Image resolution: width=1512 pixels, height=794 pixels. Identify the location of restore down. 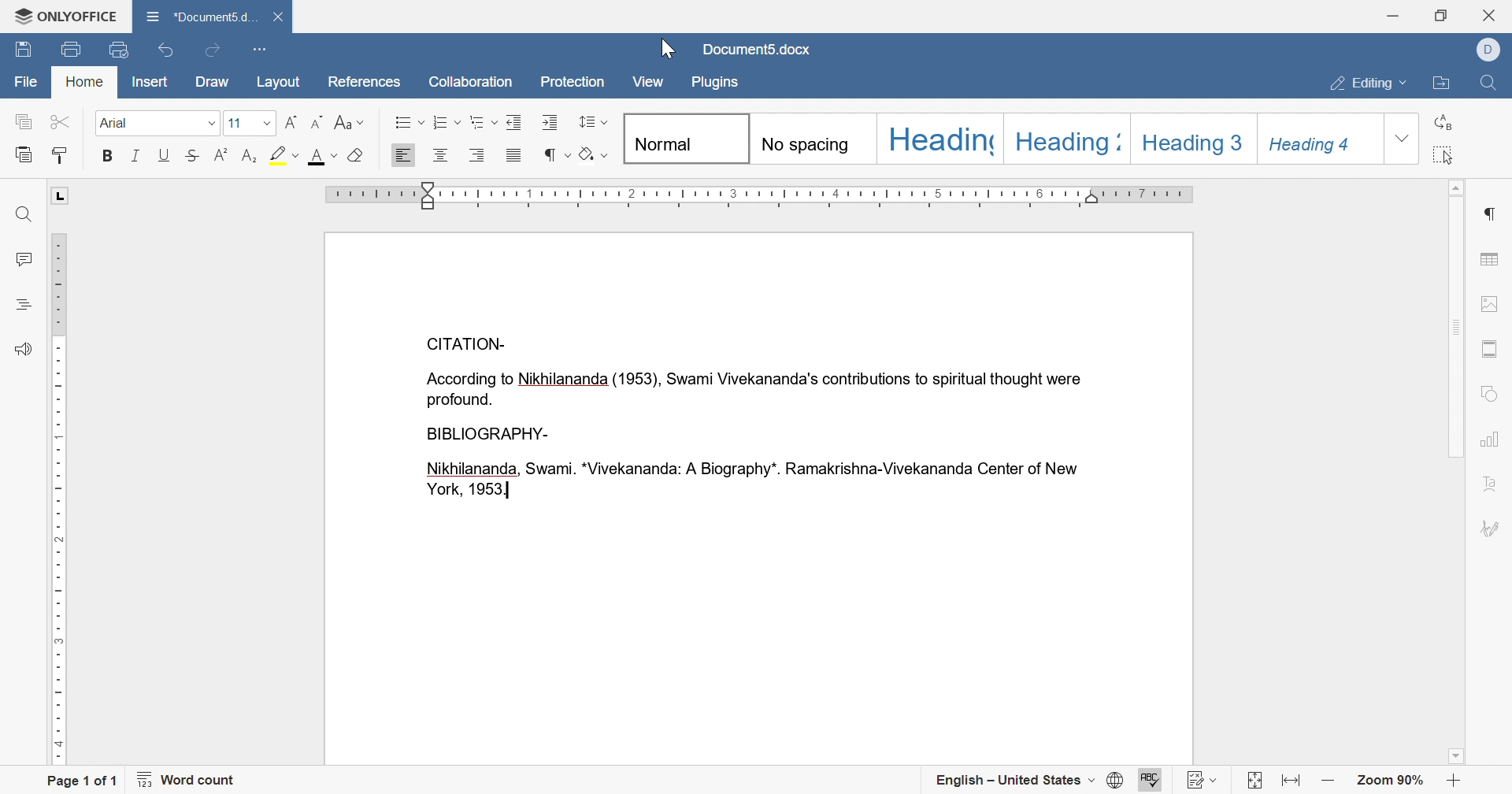
(1441, 13).